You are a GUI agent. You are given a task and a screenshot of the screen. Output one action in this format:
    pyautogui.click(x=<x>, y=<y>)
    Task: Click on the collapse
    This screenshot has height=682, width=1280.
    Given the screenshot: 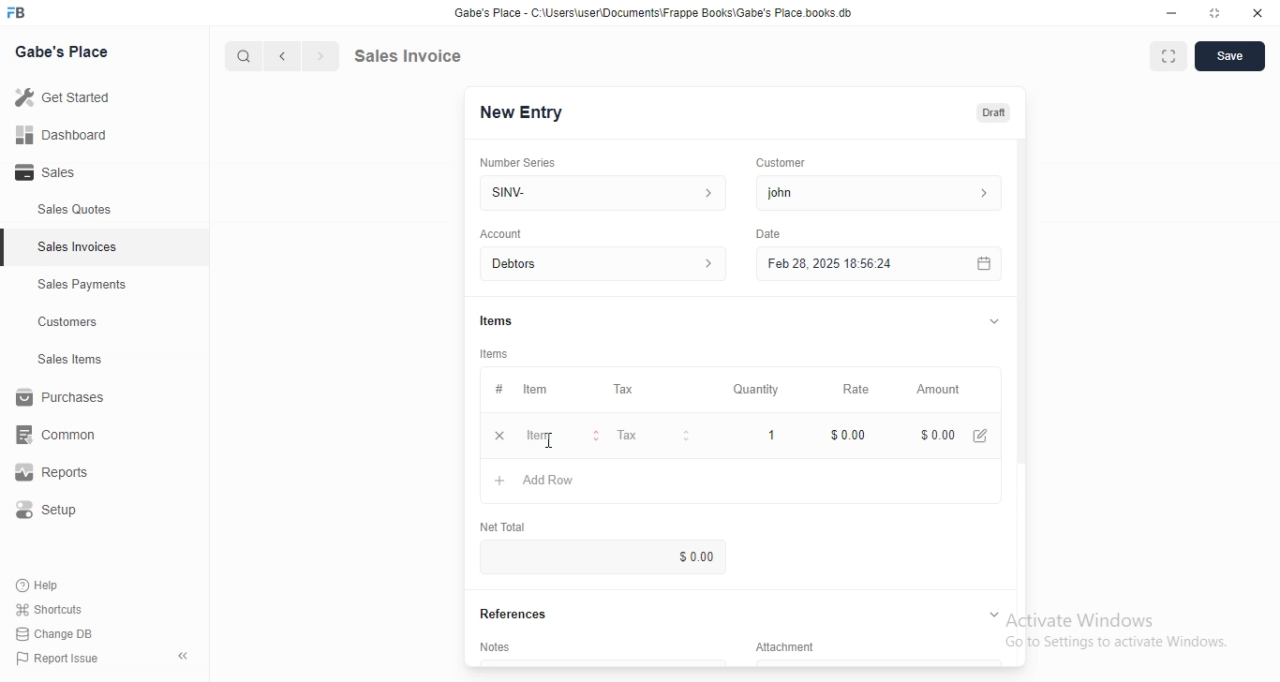 What is the action you would take?
    pyautogui.click(x=185, y=656)
    